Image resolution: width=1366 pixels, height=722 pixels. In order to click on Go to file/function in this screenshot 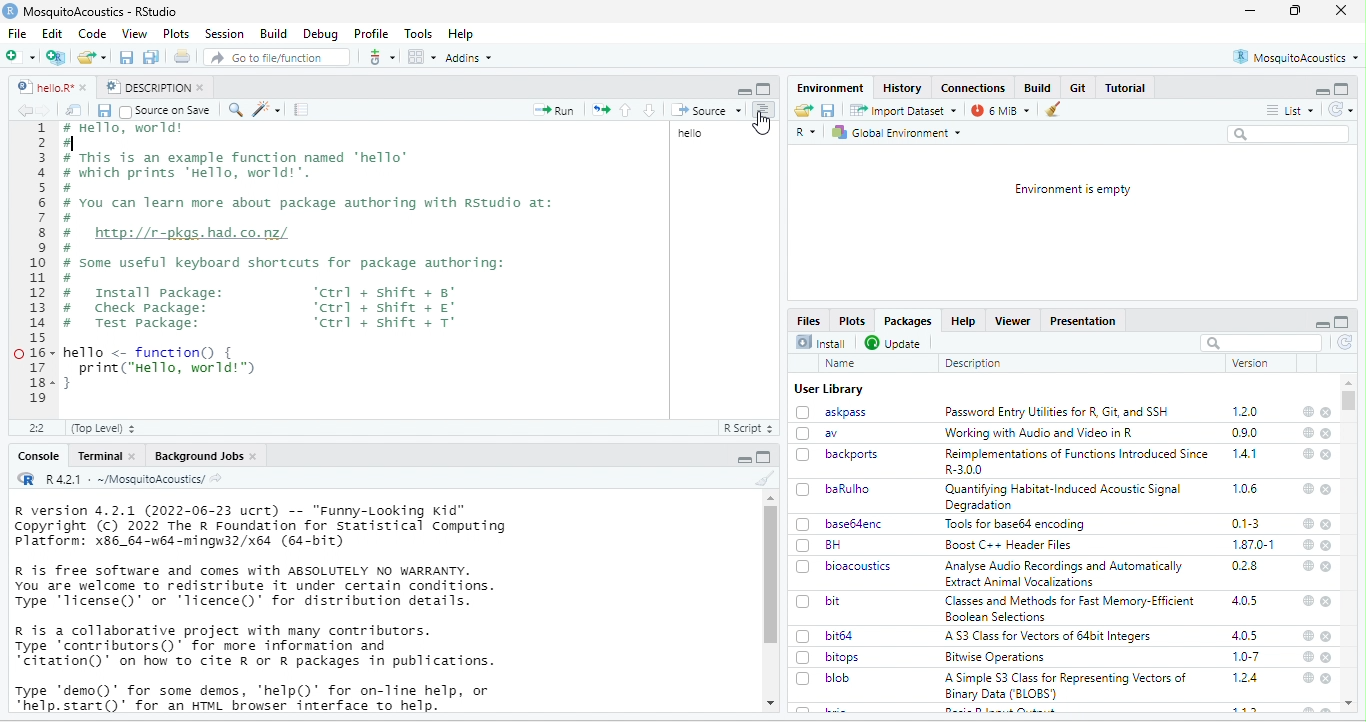, I will do `click(274, 56)`.